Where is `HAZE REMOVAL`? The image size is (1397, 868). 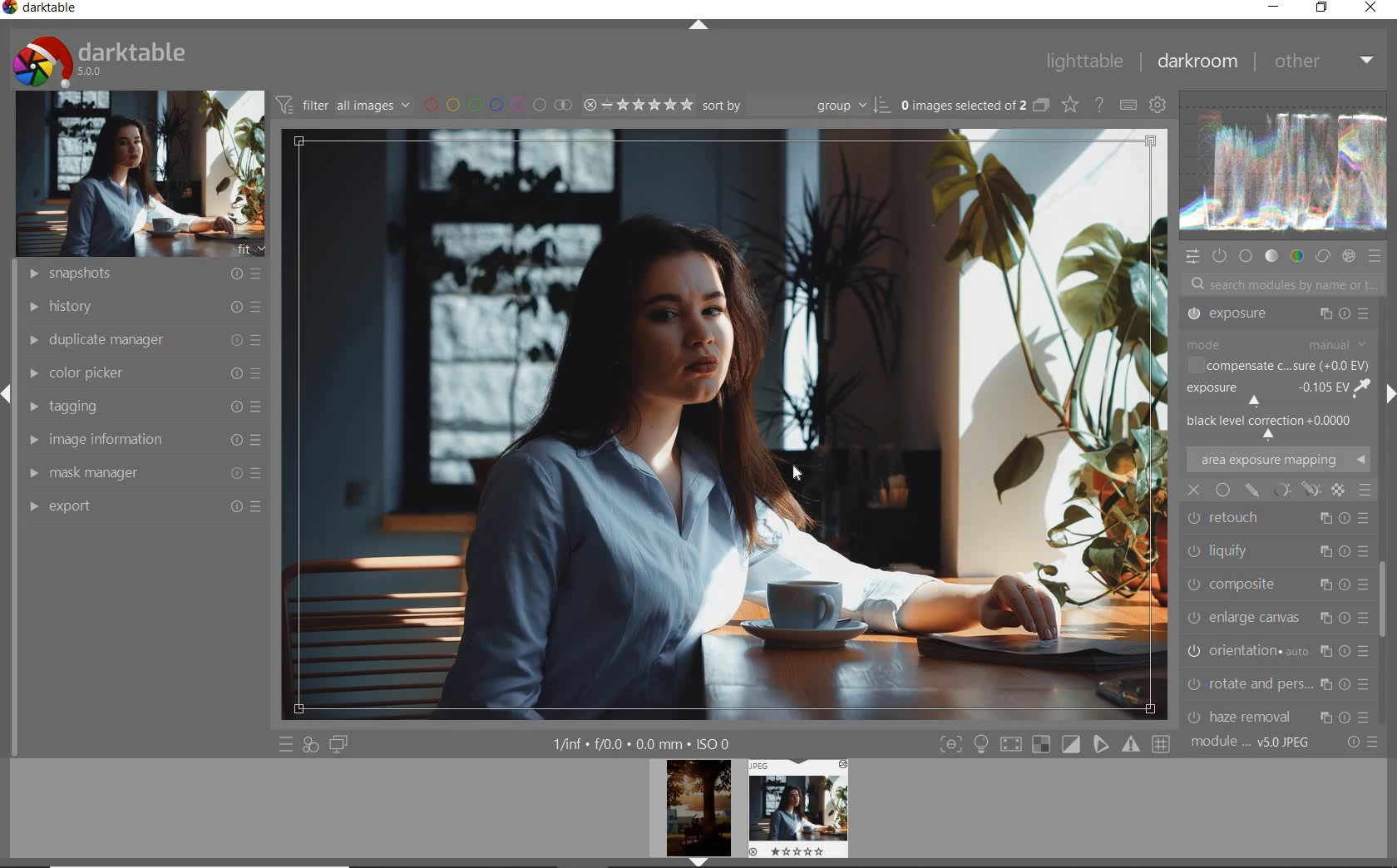 HAZE REMOVAL is located at coordinates (1278, 614).